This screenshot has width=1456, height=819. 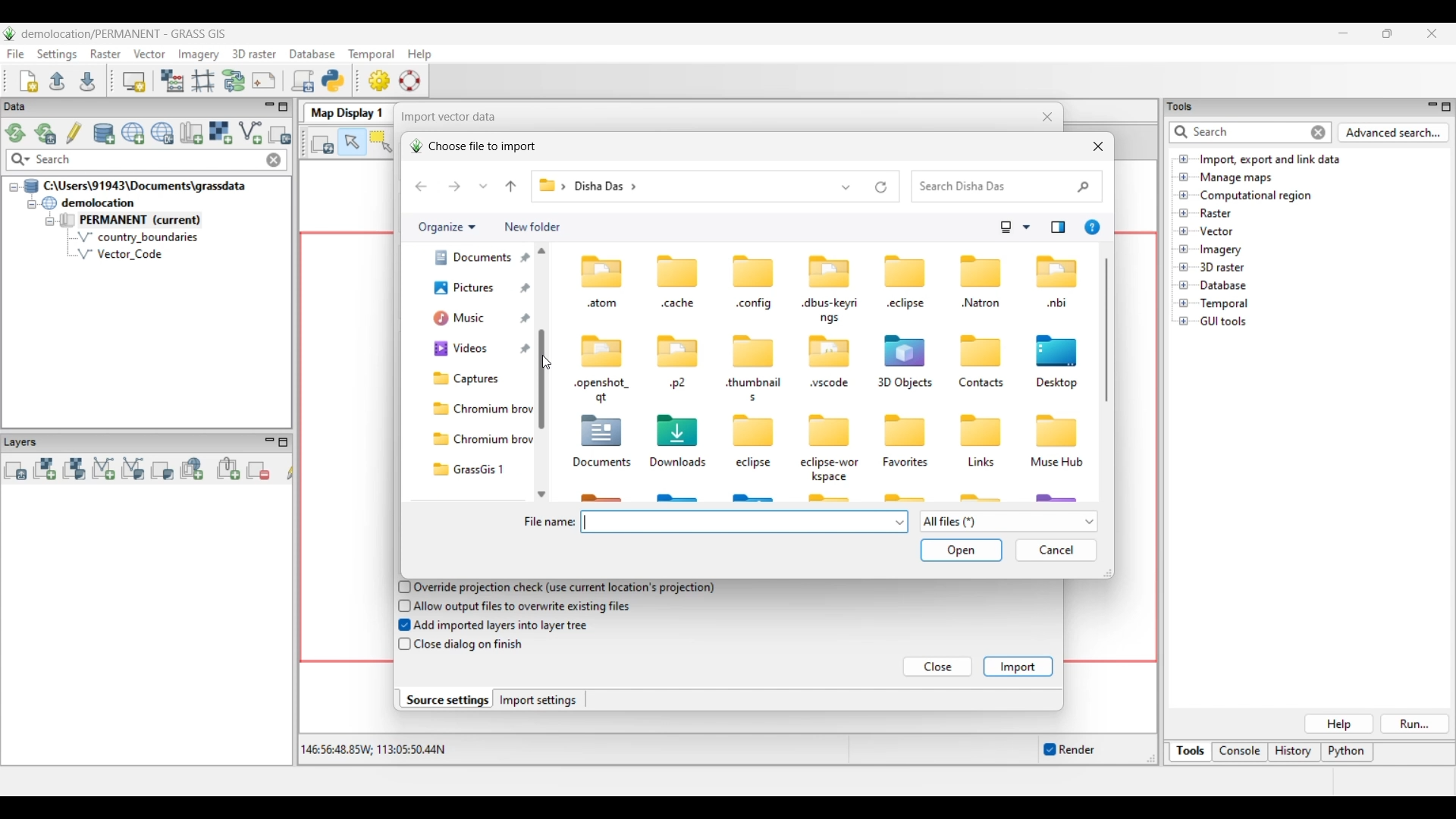 What do you see at coordinates (981, 465) in the screenshot?
I see `Links` at bounding box center [981, 465].